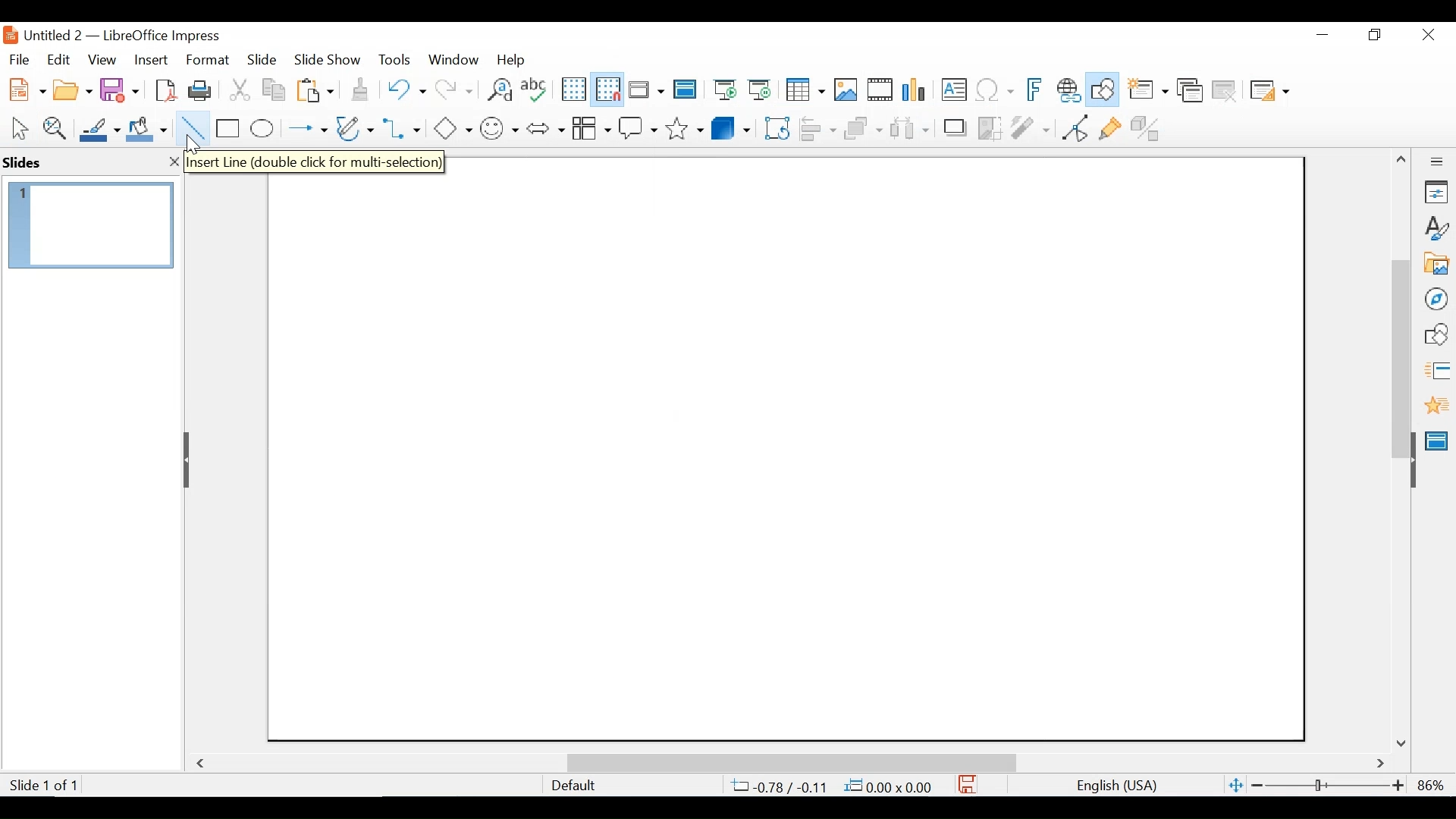  What do you see at coordinates (500, 127) in the screenshot?
I see `Symbol shapes` at bounding box center [500, 127].